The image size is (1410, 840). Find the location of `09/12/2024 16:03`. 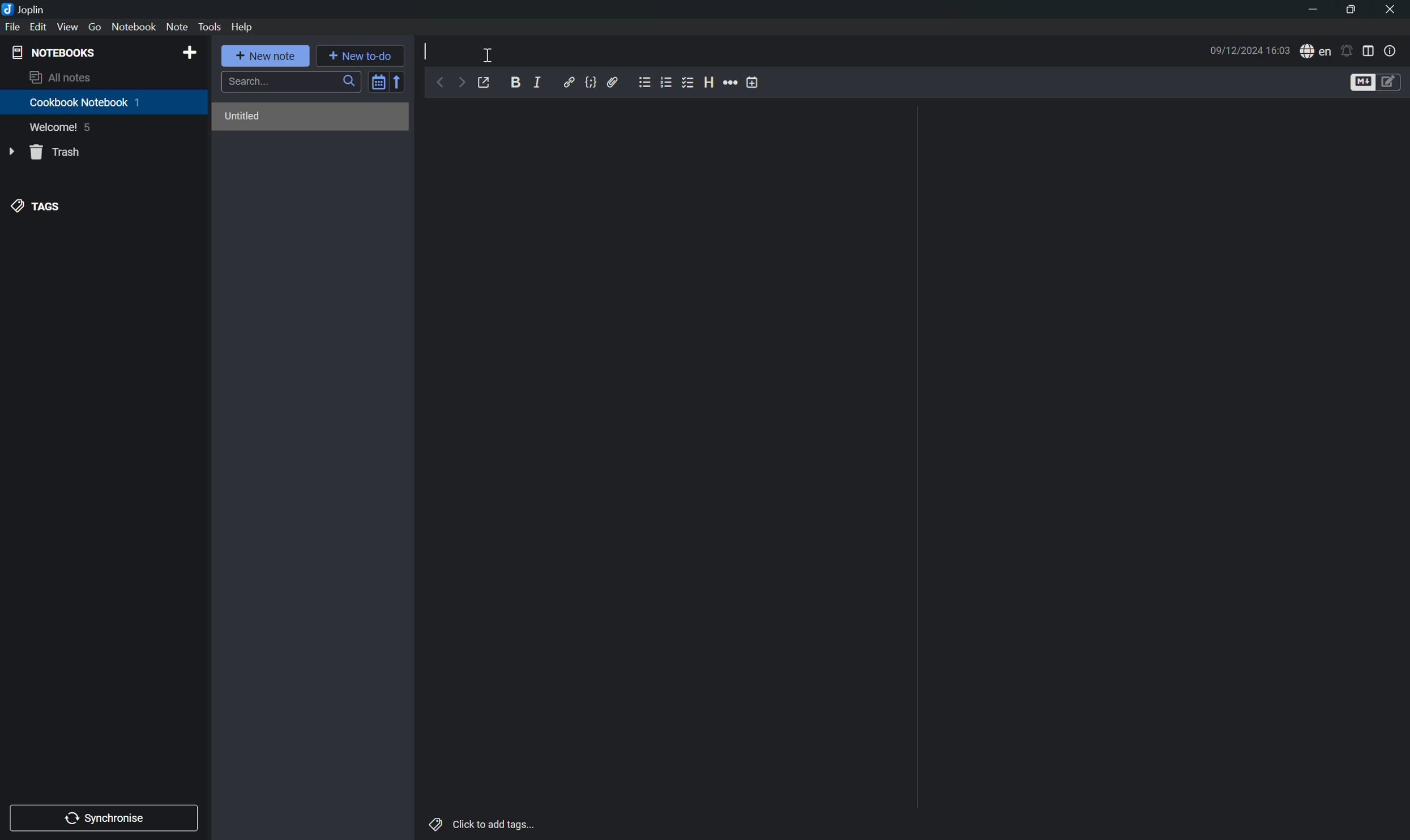

09/12/2024 16:03 is located at coordinates (1249, 50).